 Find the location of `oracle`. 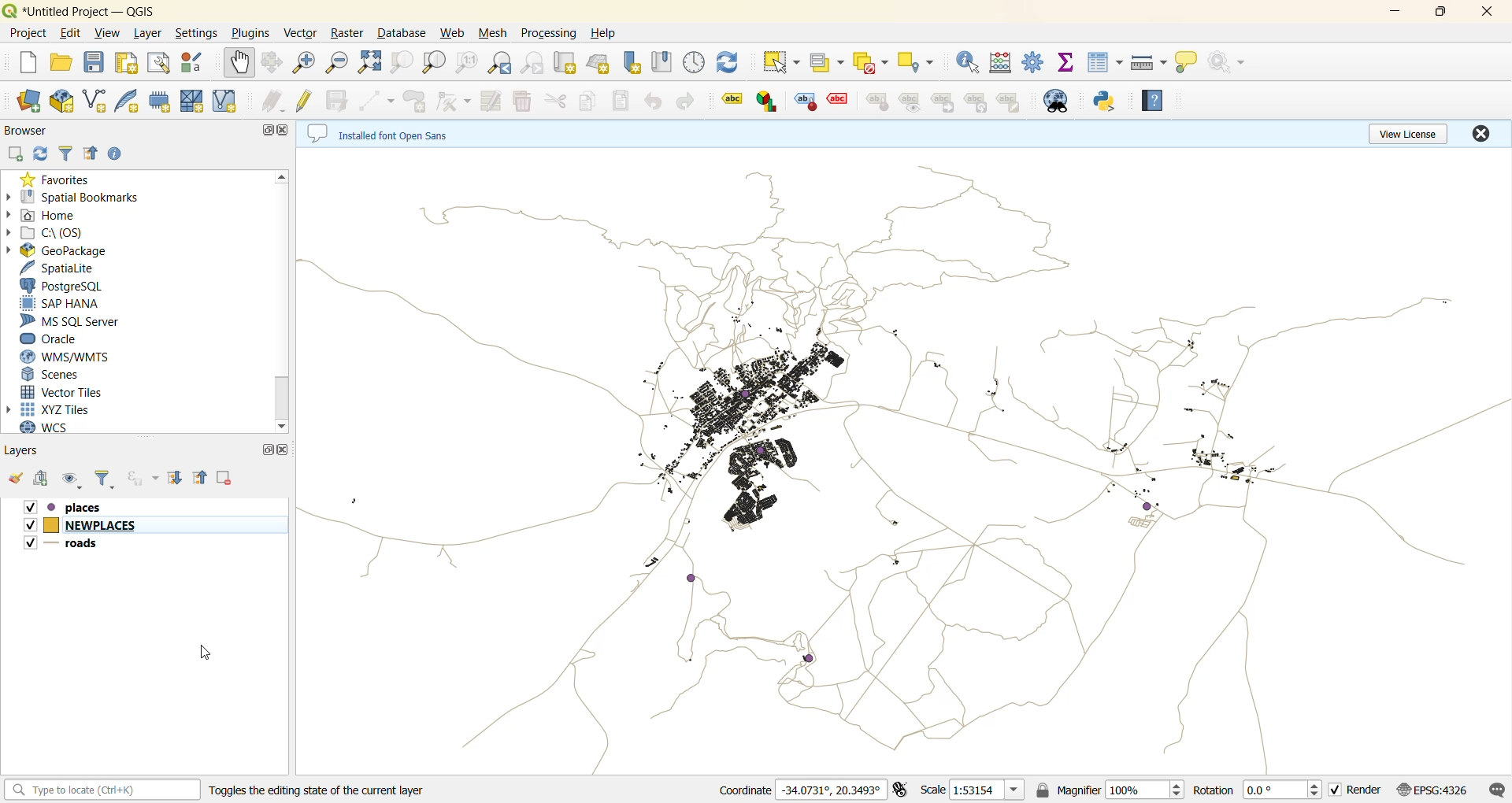

oracle is located at coordinates (57, 339).